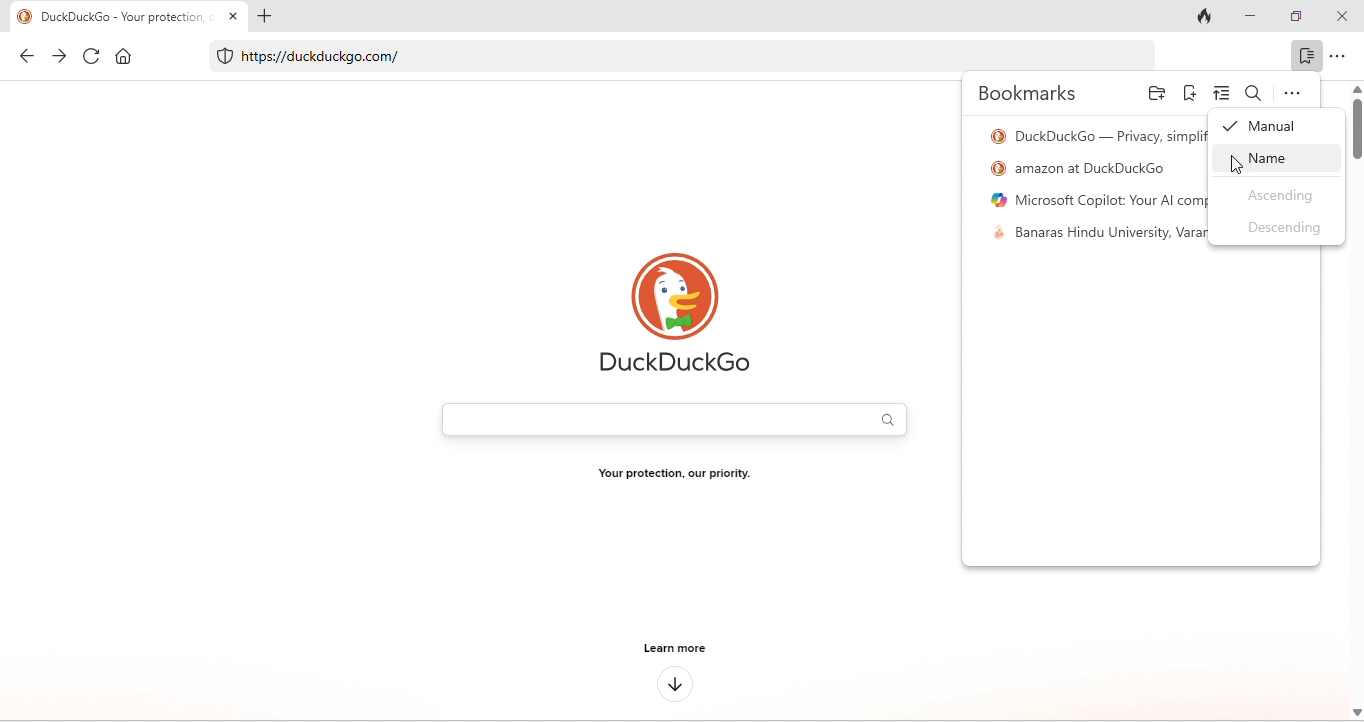 Image resolution: width=1364 pixels, height=722 pixels. What do you see at coordinates (1224, 91) in the screenshot?
I see `sort bookmark` at bounding box center [1224, 91].